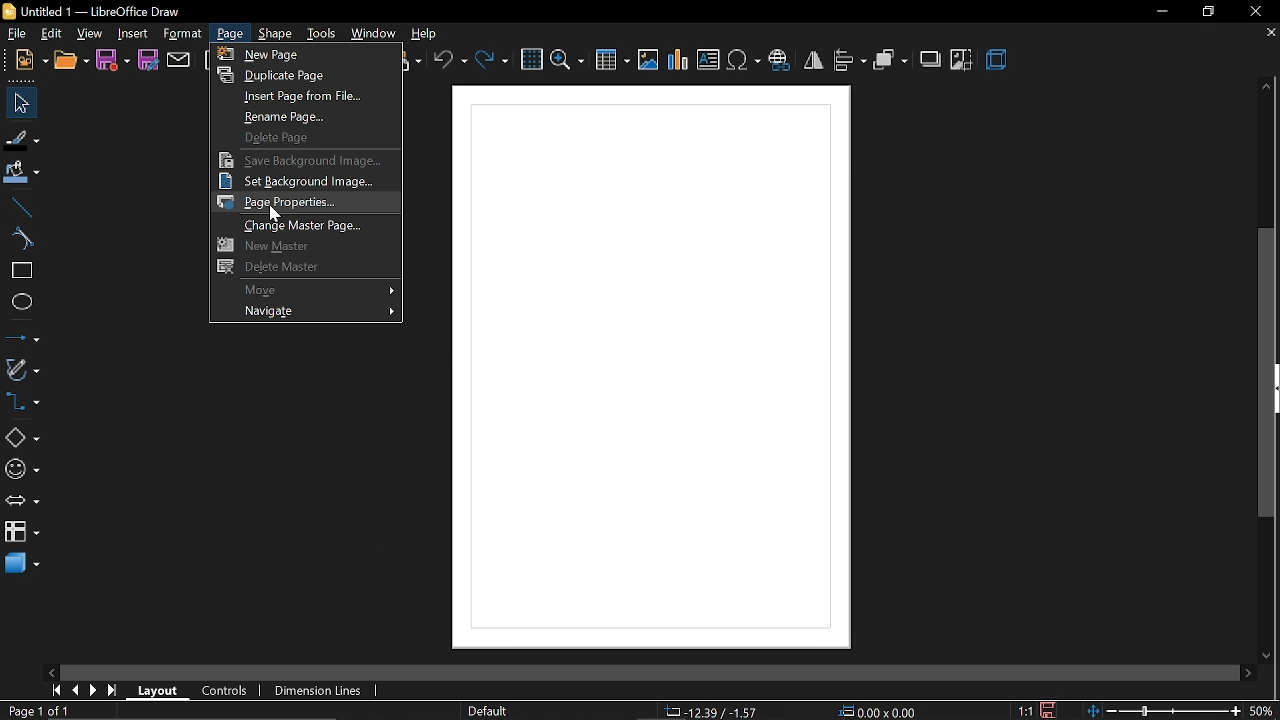 This screenshot has height=720, width=1280. What do you see at coordinates (31, 61) in the screenshot?
I see `file` at bounding box center [31, 61].